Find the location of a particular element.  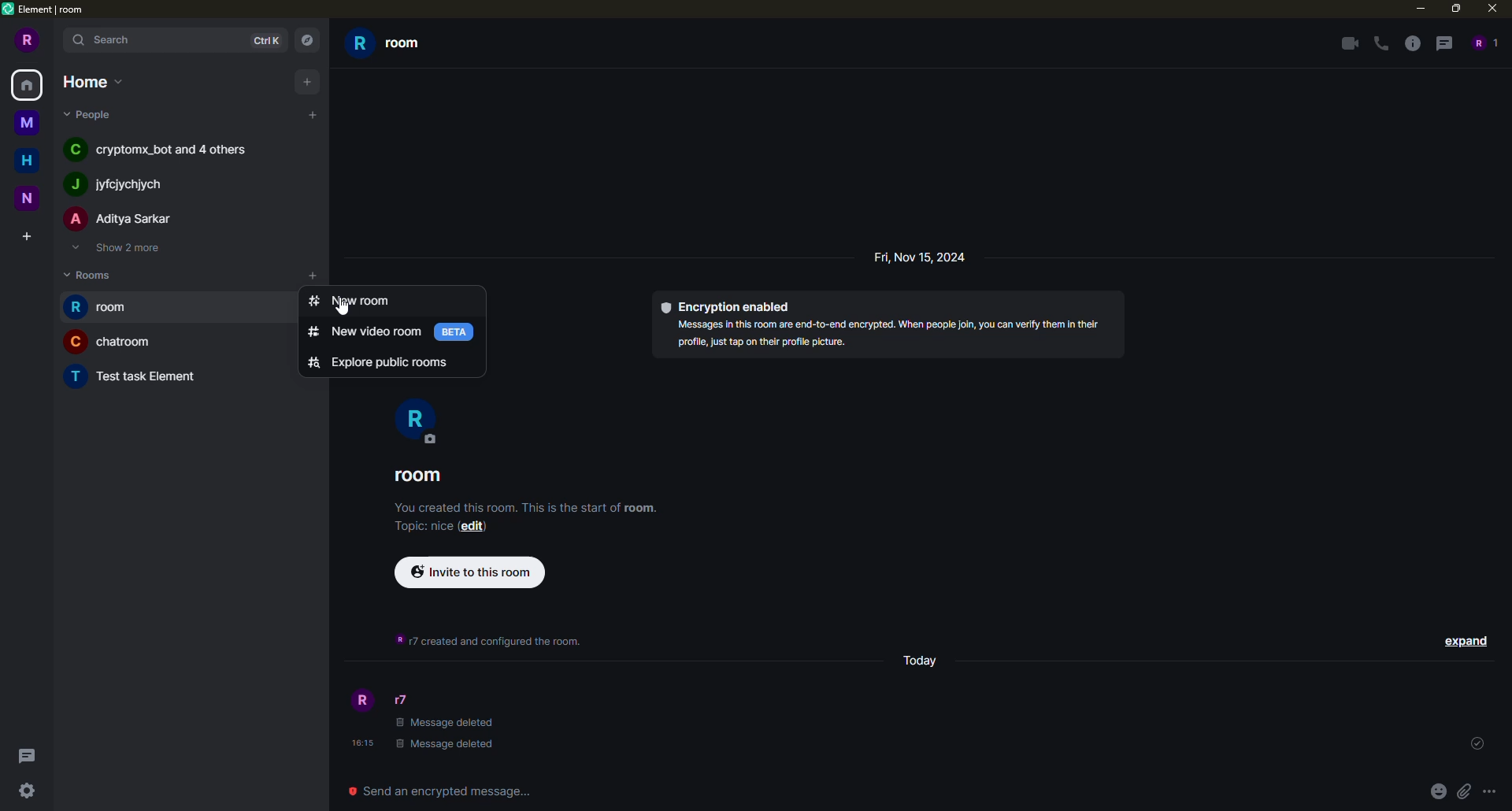

day is located at coordinates (925, 257).